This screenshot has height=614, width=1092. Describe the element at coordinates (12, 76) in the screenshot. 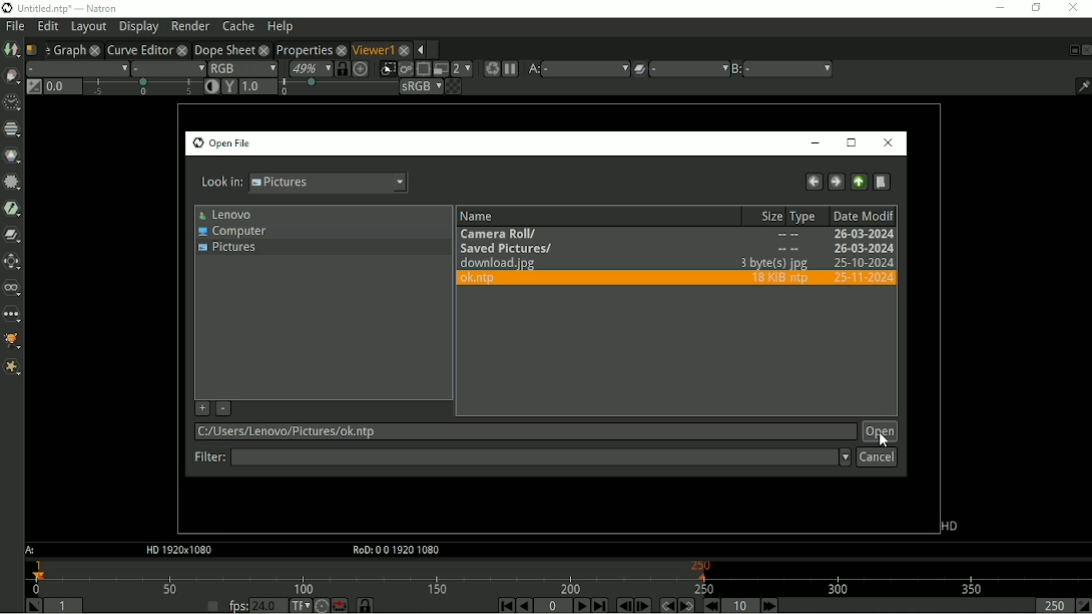

I see `Draw` at that location.